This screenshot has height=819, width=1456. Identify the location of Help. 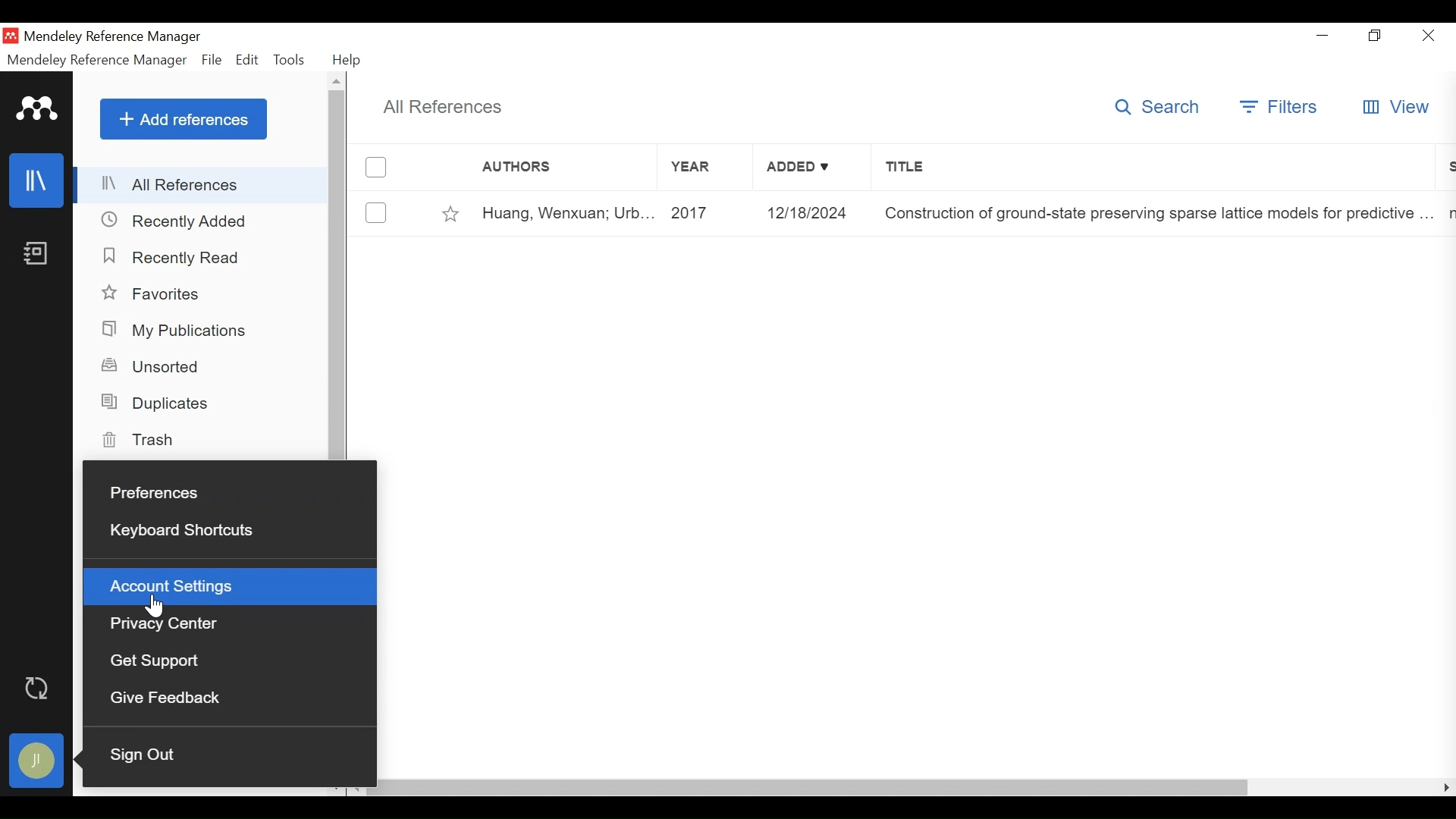
(348, 60).